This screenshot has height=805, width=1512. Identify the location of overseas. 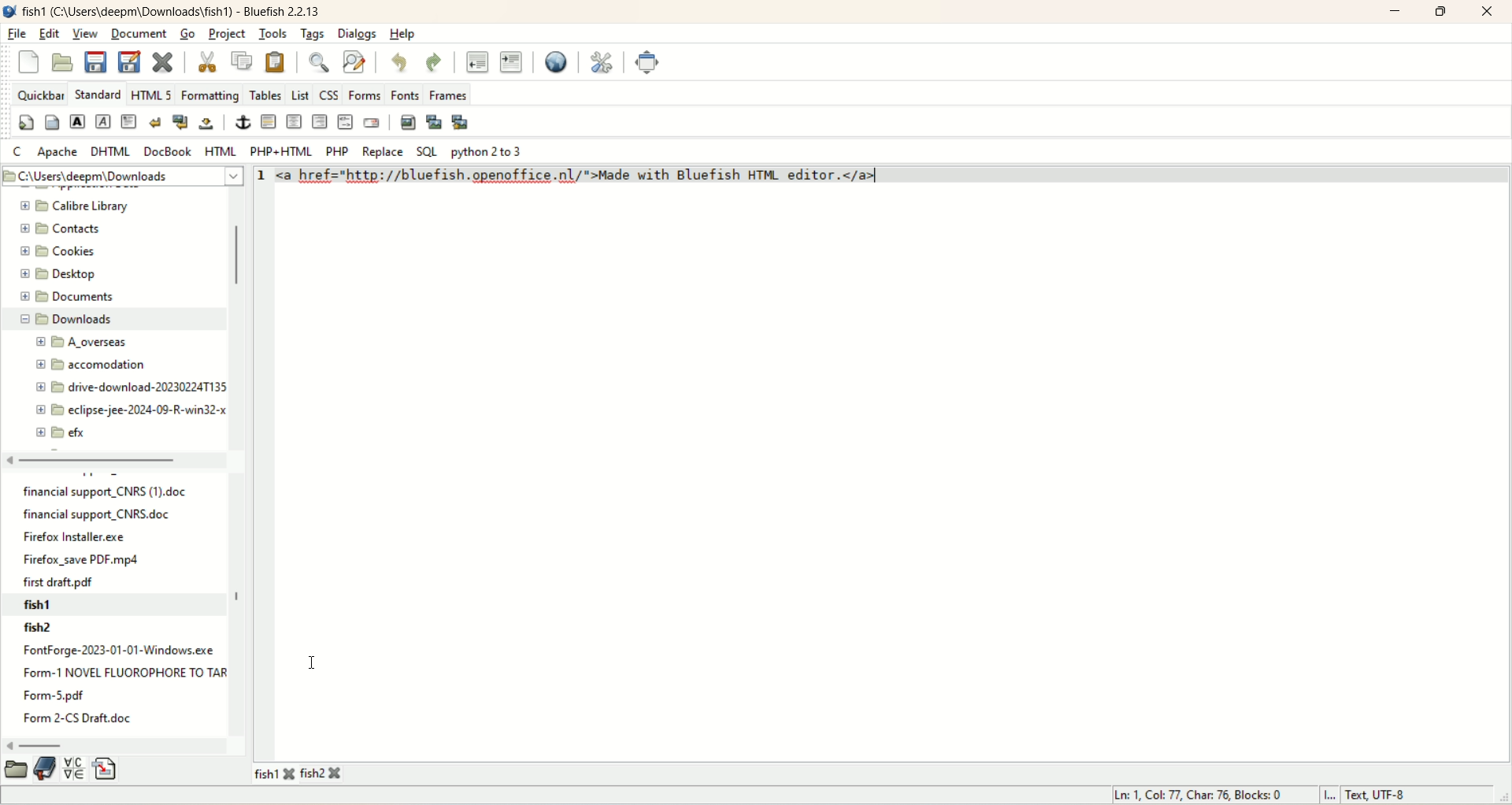
(86, 343).